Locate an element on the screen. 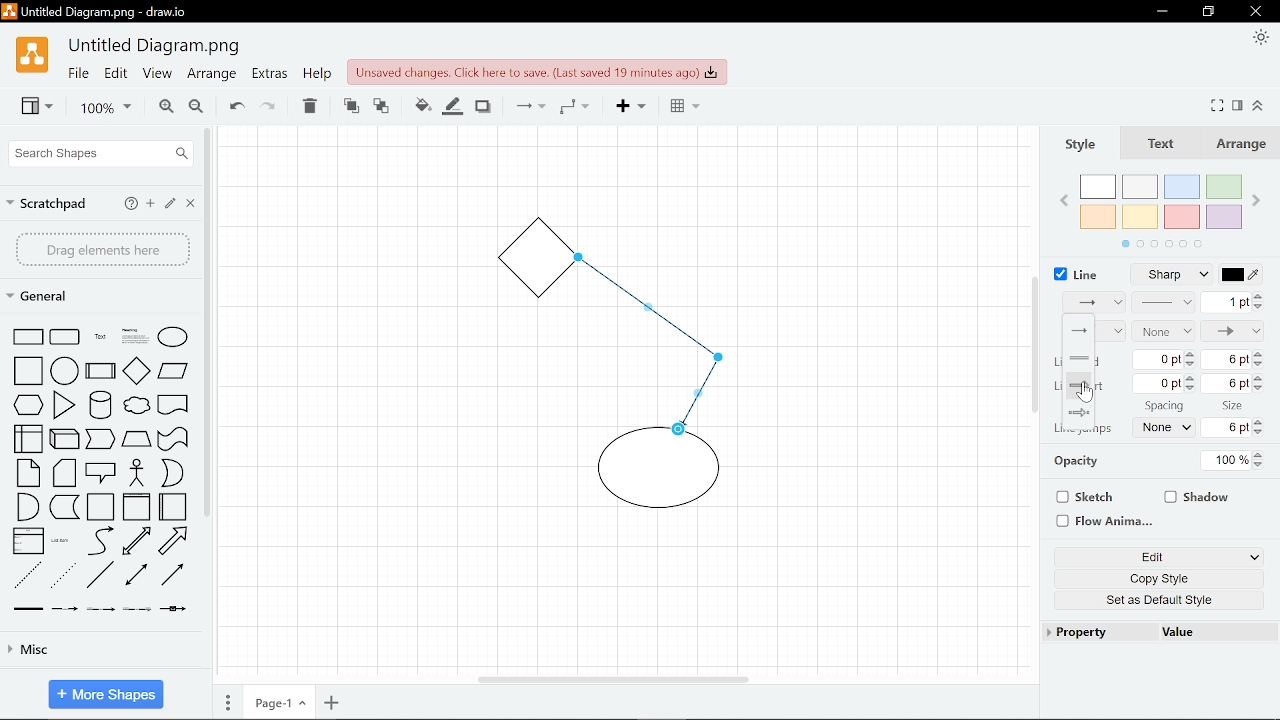 The width and height of the screenshot is (1280, 720). Decrease is located at coordinates (1259, 366).